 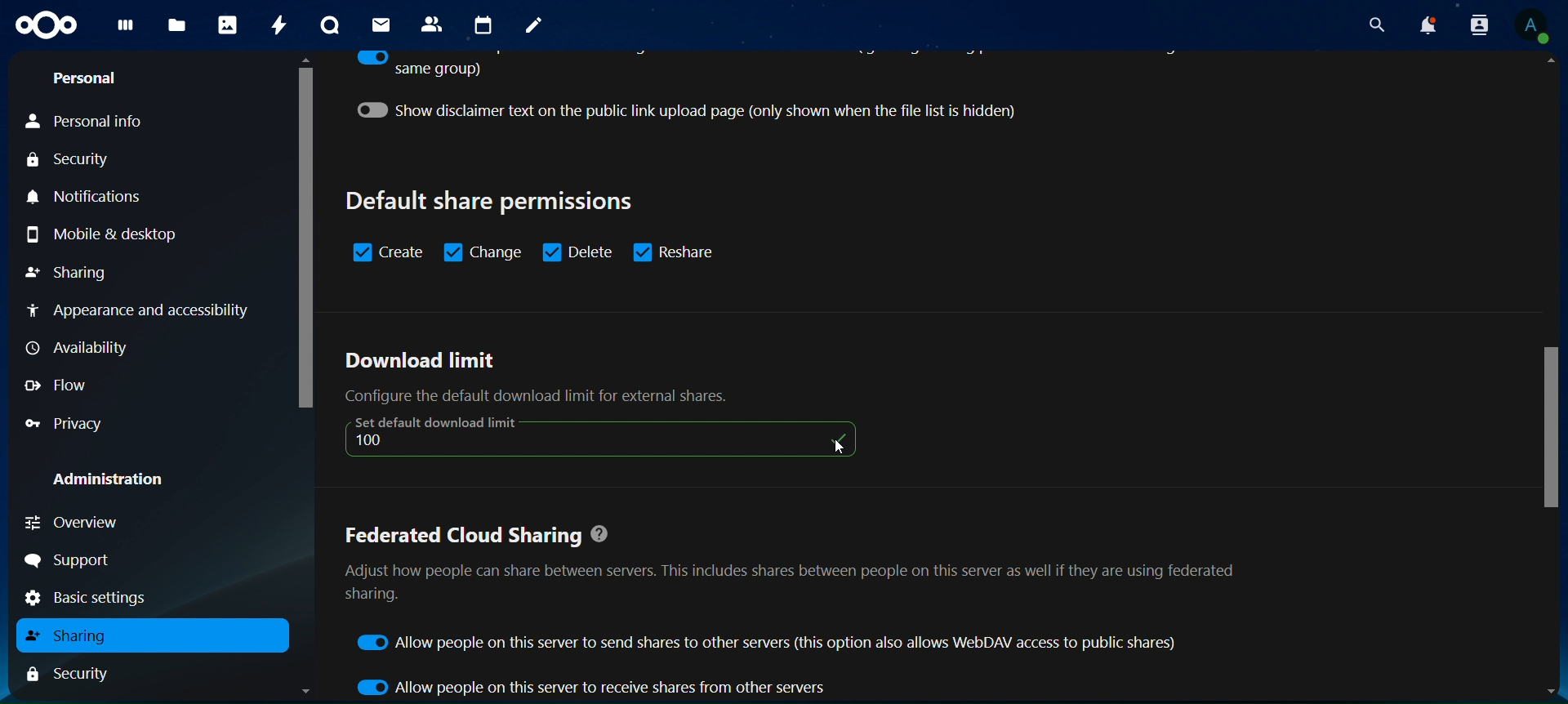 What do you see at coordinates (1533, 25) in the screenshot?
I see `View Profile` at bounding box center [1533, 25].